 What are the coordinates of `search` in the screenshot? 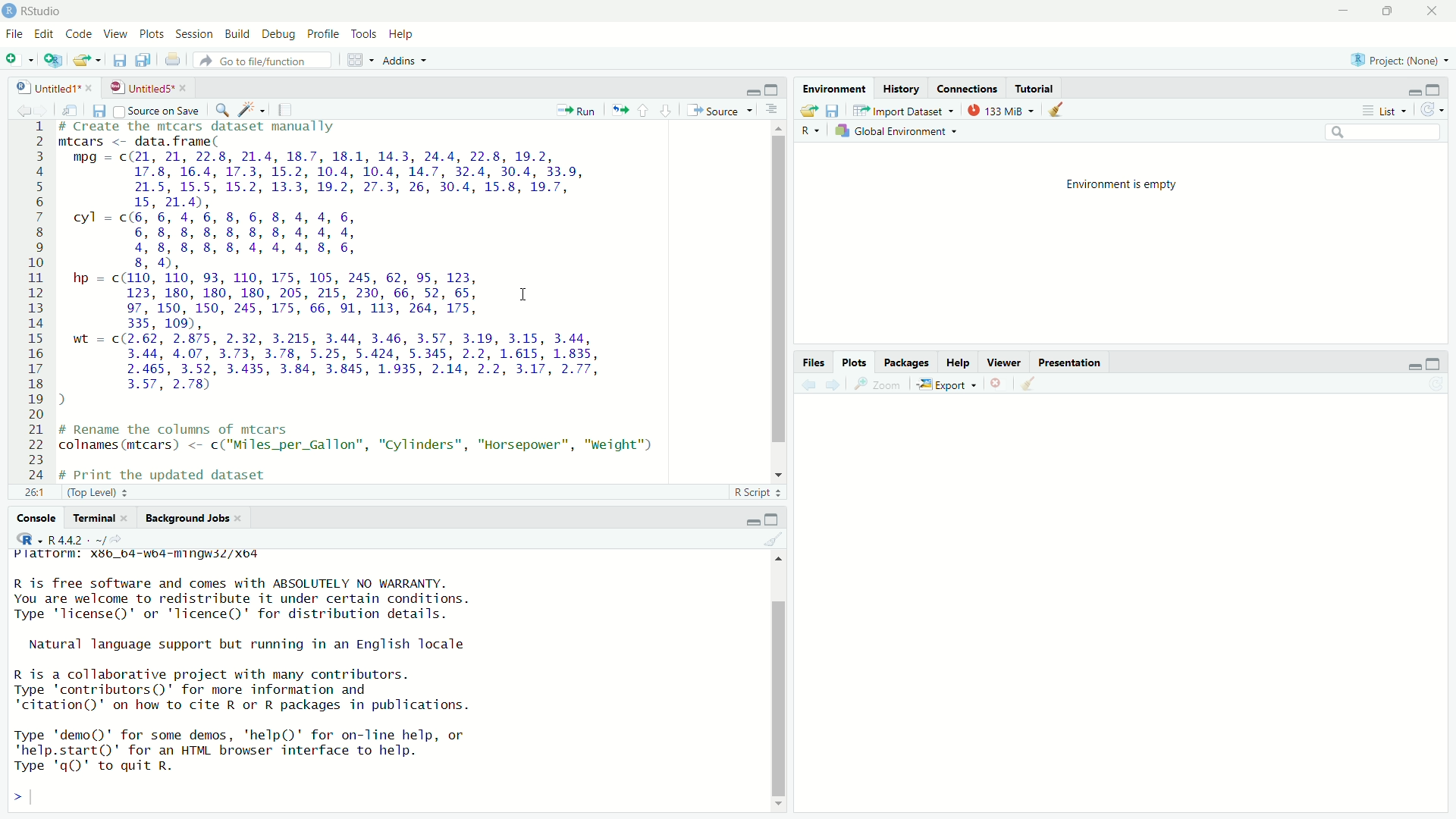 It's located at (219, 108).